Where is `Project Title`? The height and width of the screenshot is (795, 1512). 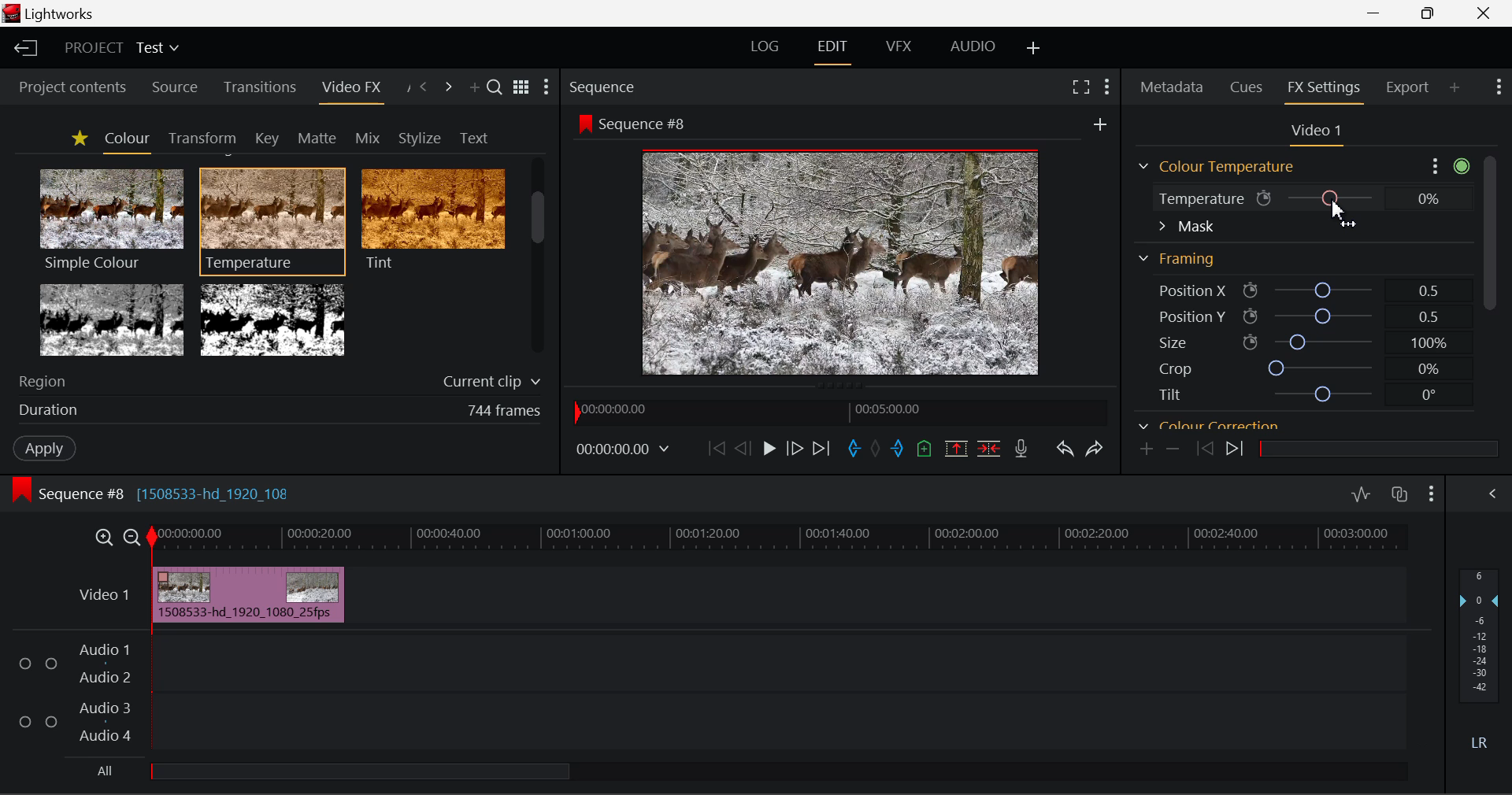
Project Title is located at coordinates (121, 46).